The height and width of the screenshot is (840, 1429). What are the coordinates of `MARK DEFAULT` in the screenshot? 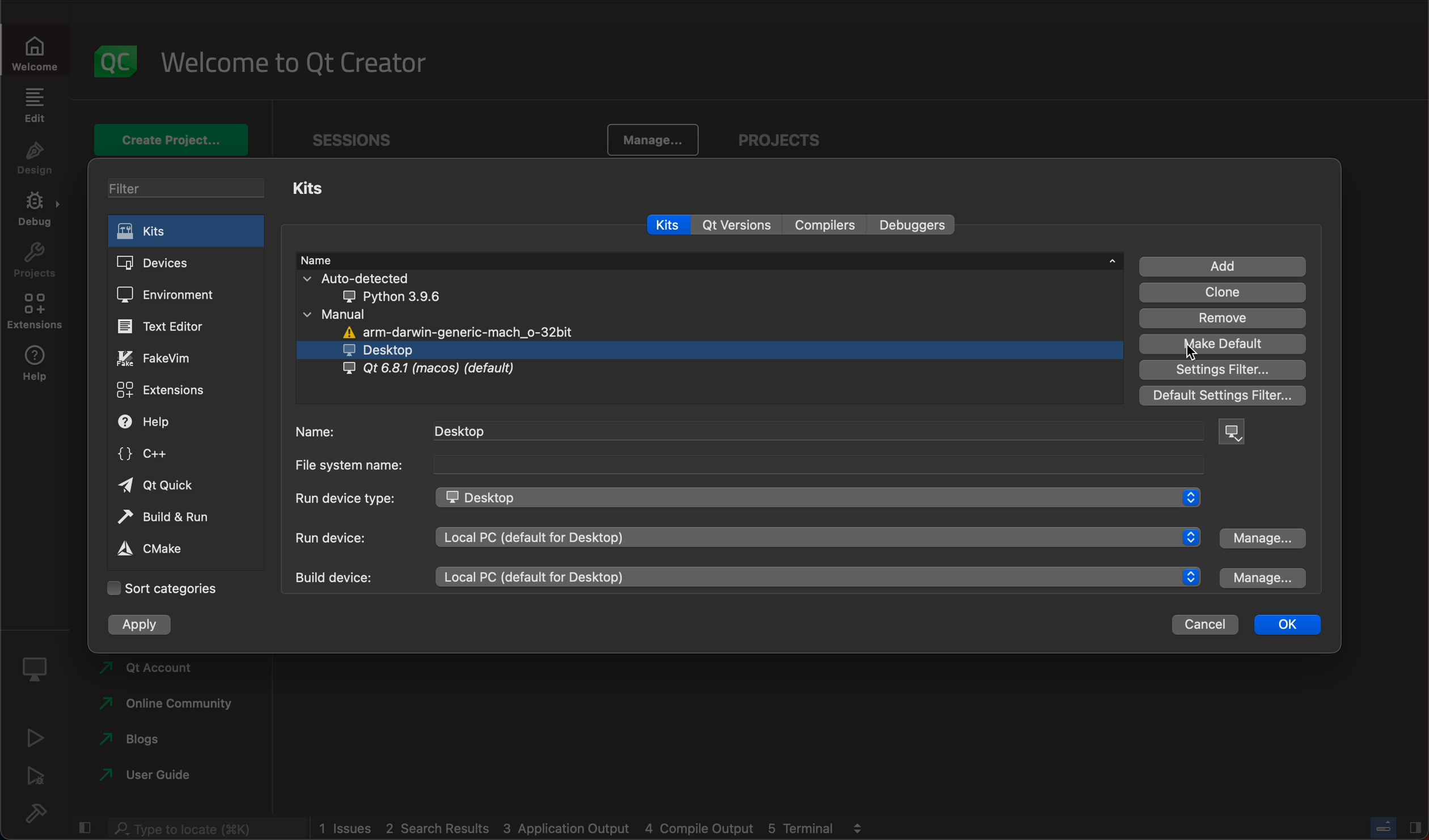 It's located at (1220, 345).